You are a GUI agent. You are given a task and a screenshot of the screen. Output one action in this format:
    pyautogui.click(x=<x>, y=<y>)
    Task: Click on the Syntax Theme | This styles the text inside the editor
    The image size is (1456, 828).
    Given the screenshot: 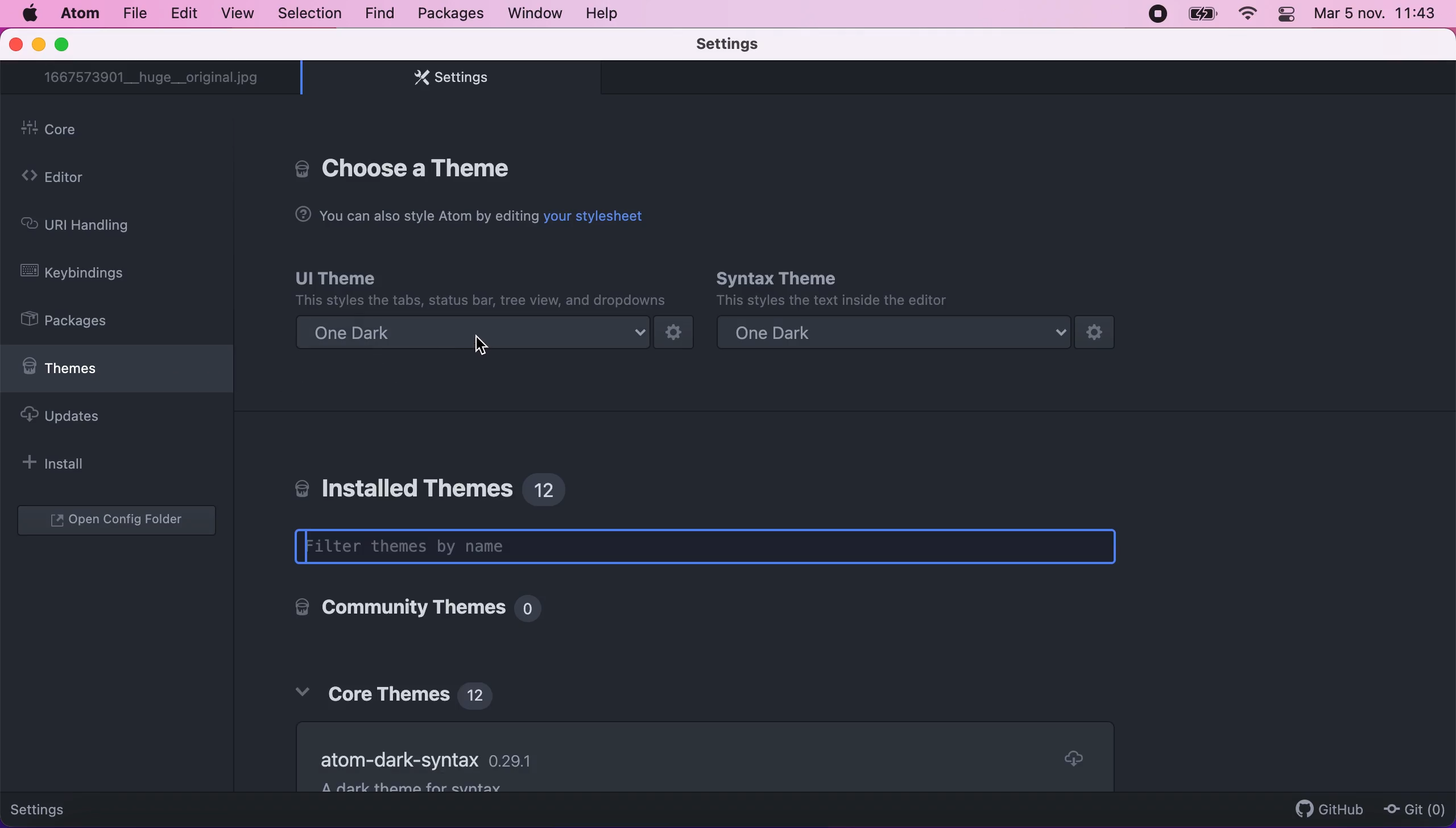 What is the action you would take?
    pyautogui.click(x=830, y=288)
    